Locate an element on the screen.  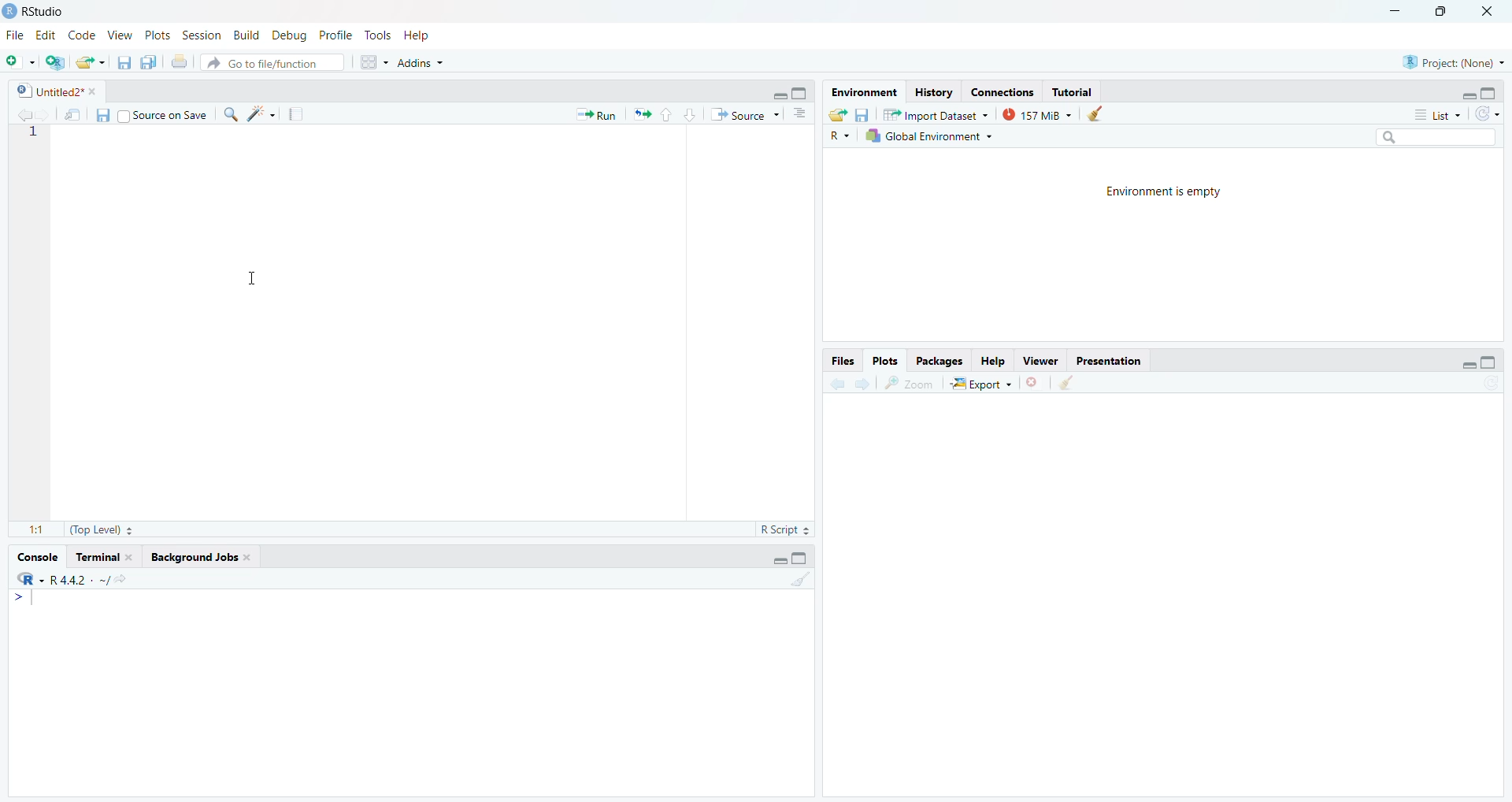
Terminal is located at coordinates (96, 555).